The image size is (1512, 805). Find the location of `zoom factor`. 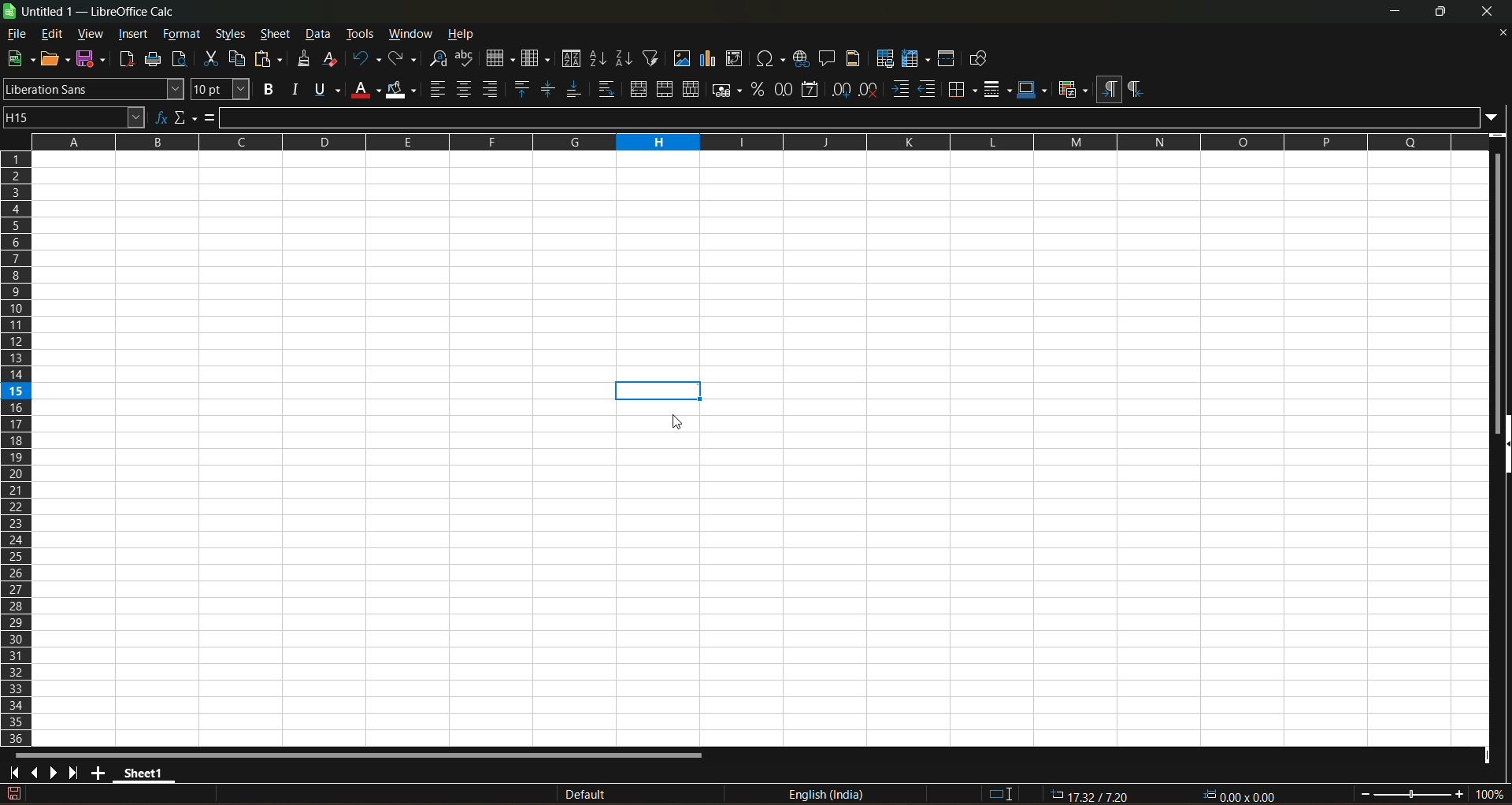

zoom factor is located at coordinates (1432, 793).